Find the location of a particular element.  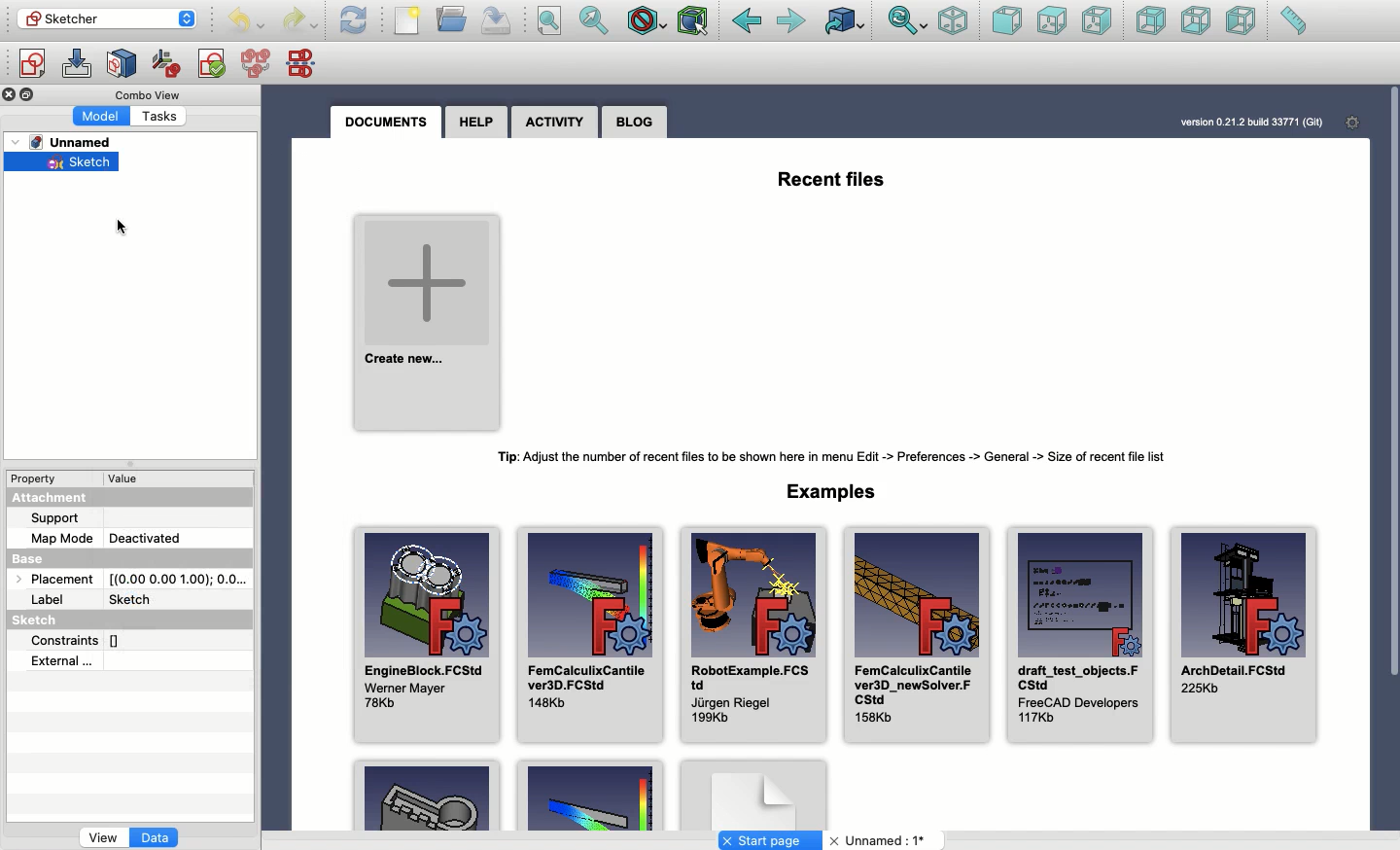

Tip: Adjust the number of recent files to be shown here in menu Edit -> Preferences -> General -> Size of recent file list is located at coordinates (841, 457).